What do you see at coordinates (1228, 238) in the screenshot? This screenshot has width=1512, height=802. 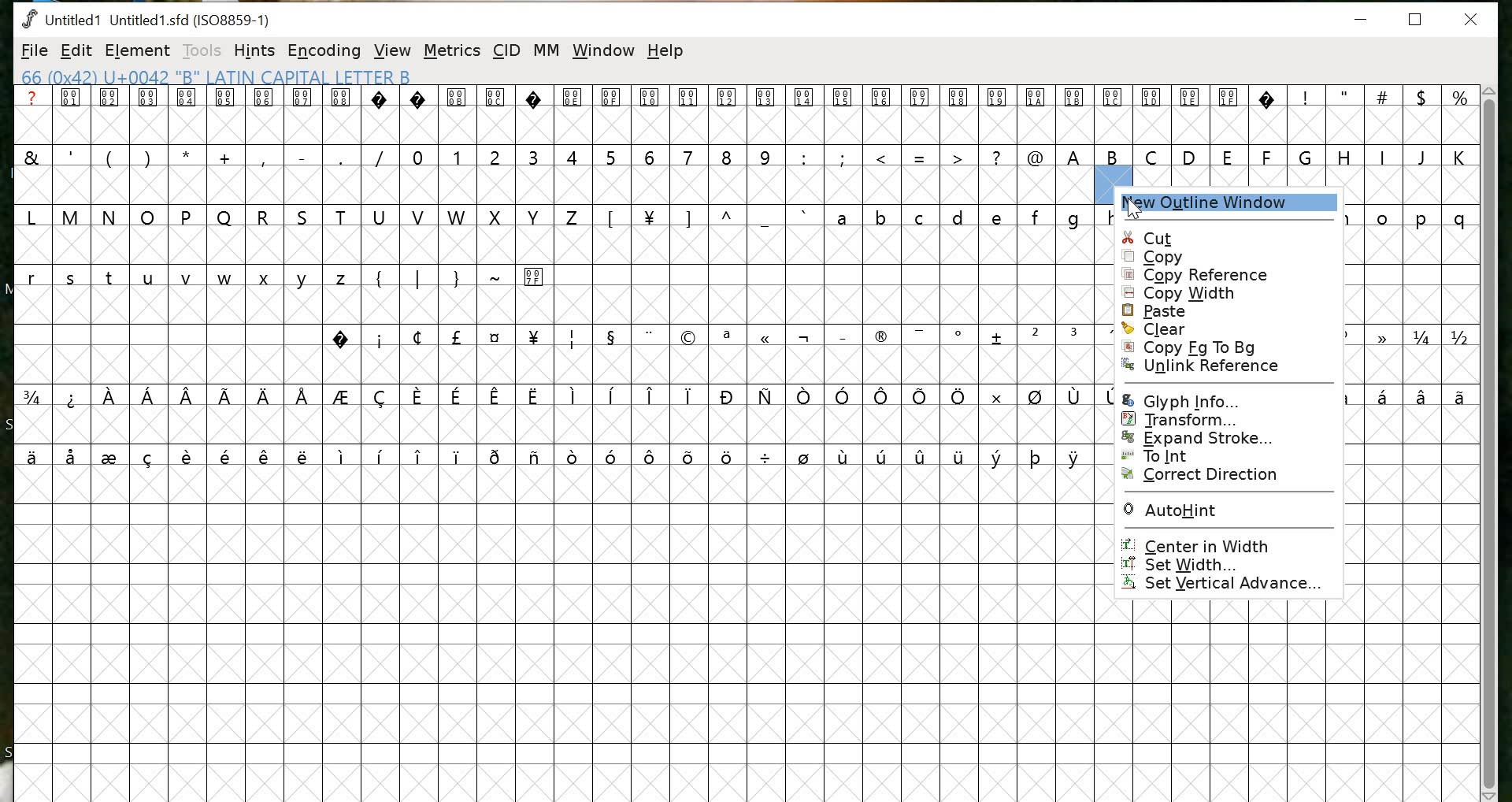 I see `cut` at bounding box center [1228, 238].